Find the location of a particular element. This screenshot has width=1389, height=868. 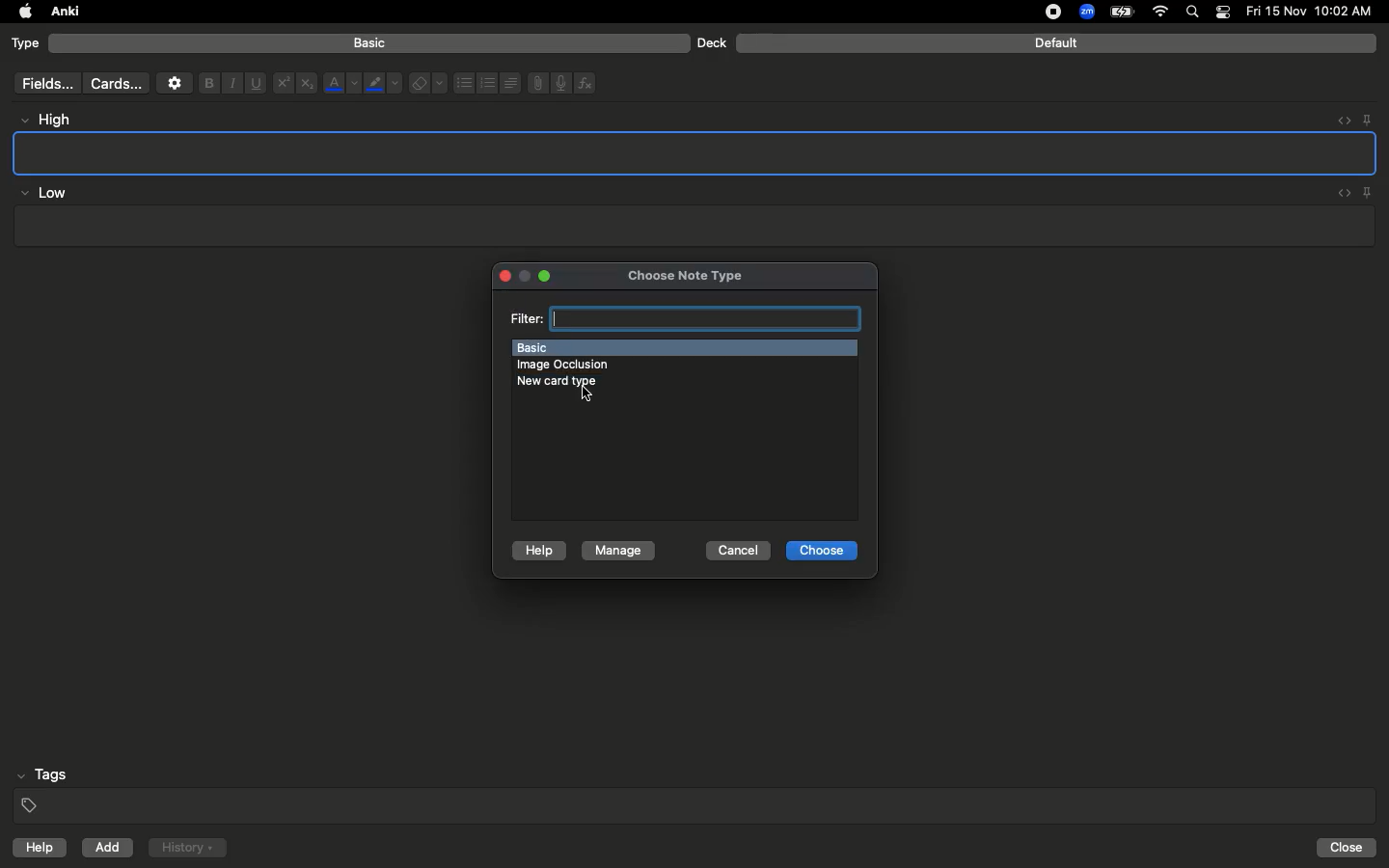

recording is located at coordinates (1042, 12).